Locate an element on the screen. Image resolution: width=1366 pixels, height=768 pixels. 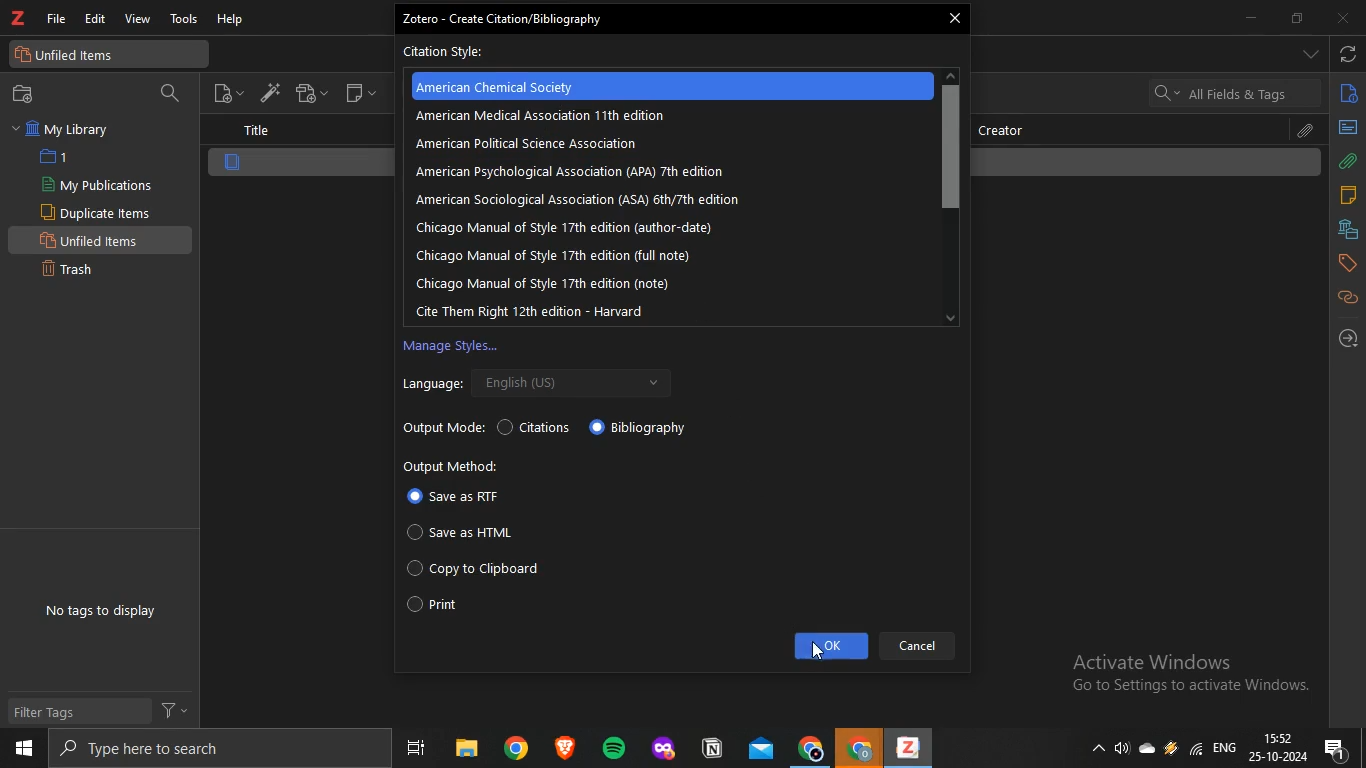
cursor is located at coordinates (818, 651).